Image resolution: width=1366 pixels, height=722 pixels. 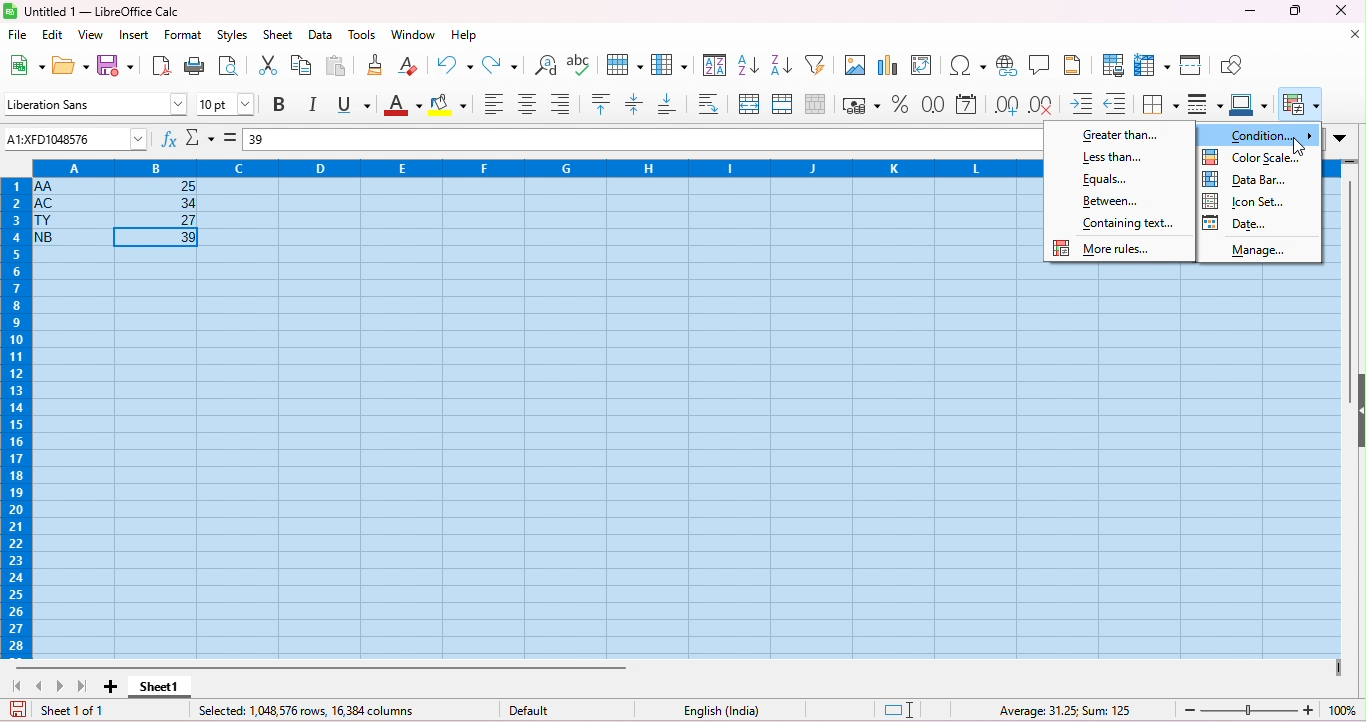 What do you see at coordinates (1252, 158) in the screenshot?
I see `color scale` at bounding box center [1252, 158].